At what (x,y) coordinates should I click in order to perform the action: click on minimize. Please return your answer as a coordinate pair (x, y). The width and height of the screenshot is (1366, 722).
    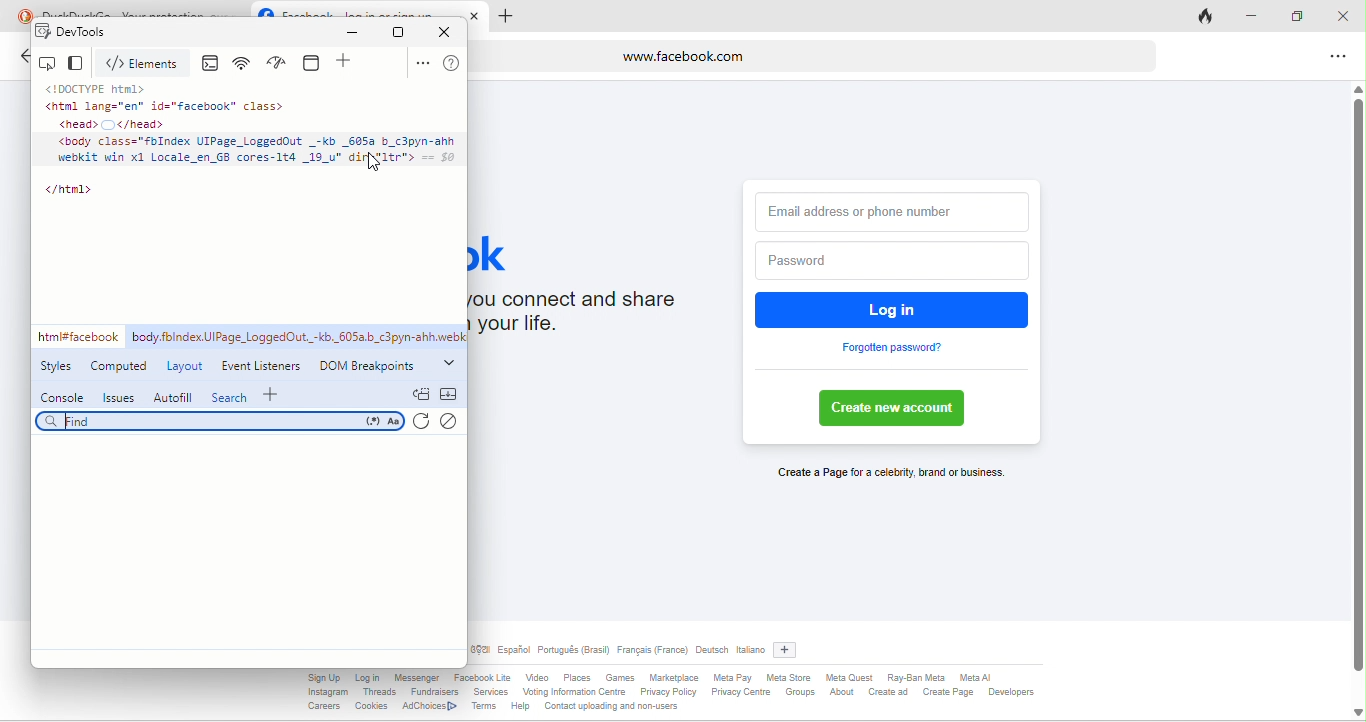
    Looking at the image, I should click on (357, 33).